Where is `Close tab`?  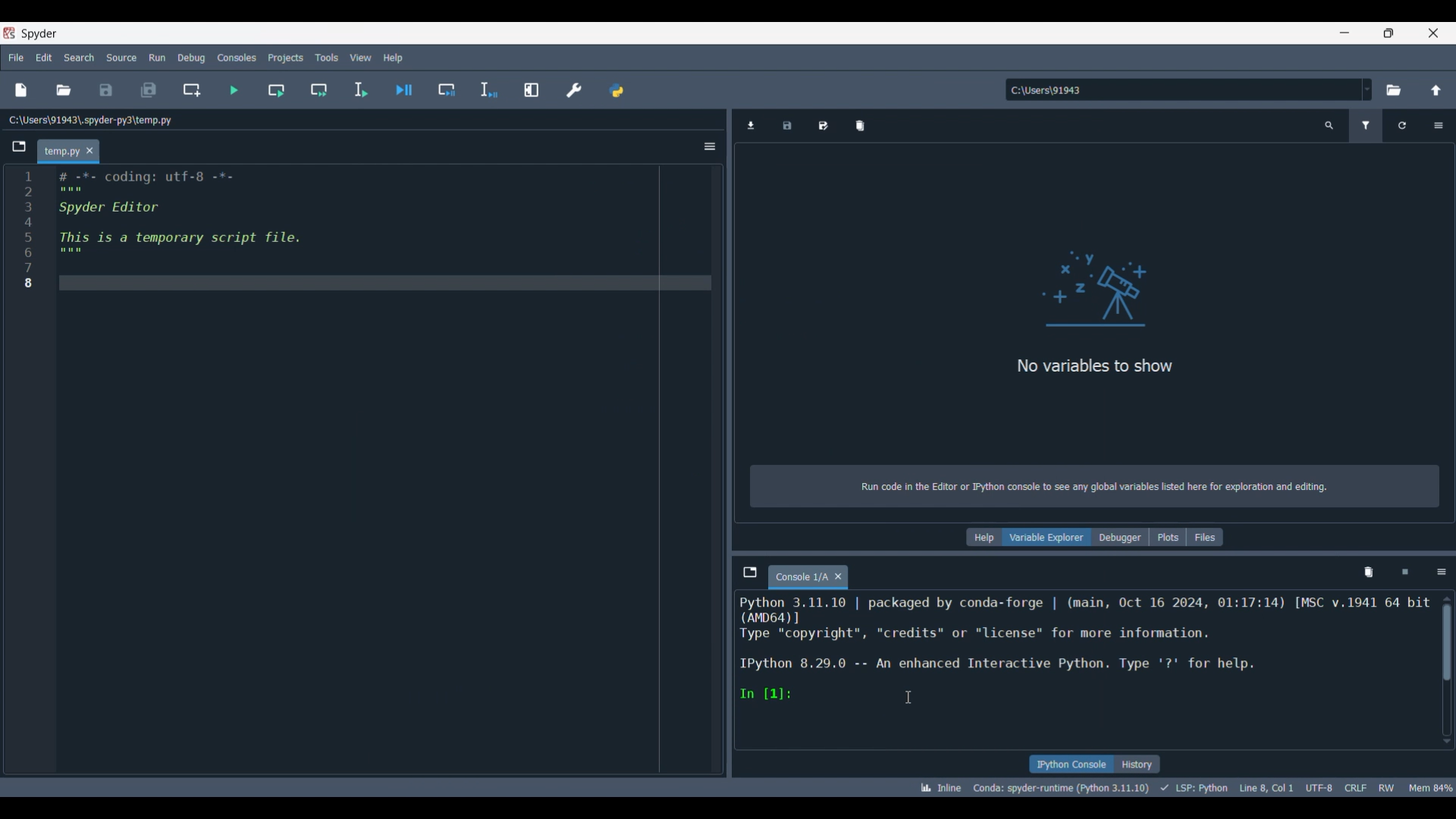 Close tab is located at coordinates (89, 150).